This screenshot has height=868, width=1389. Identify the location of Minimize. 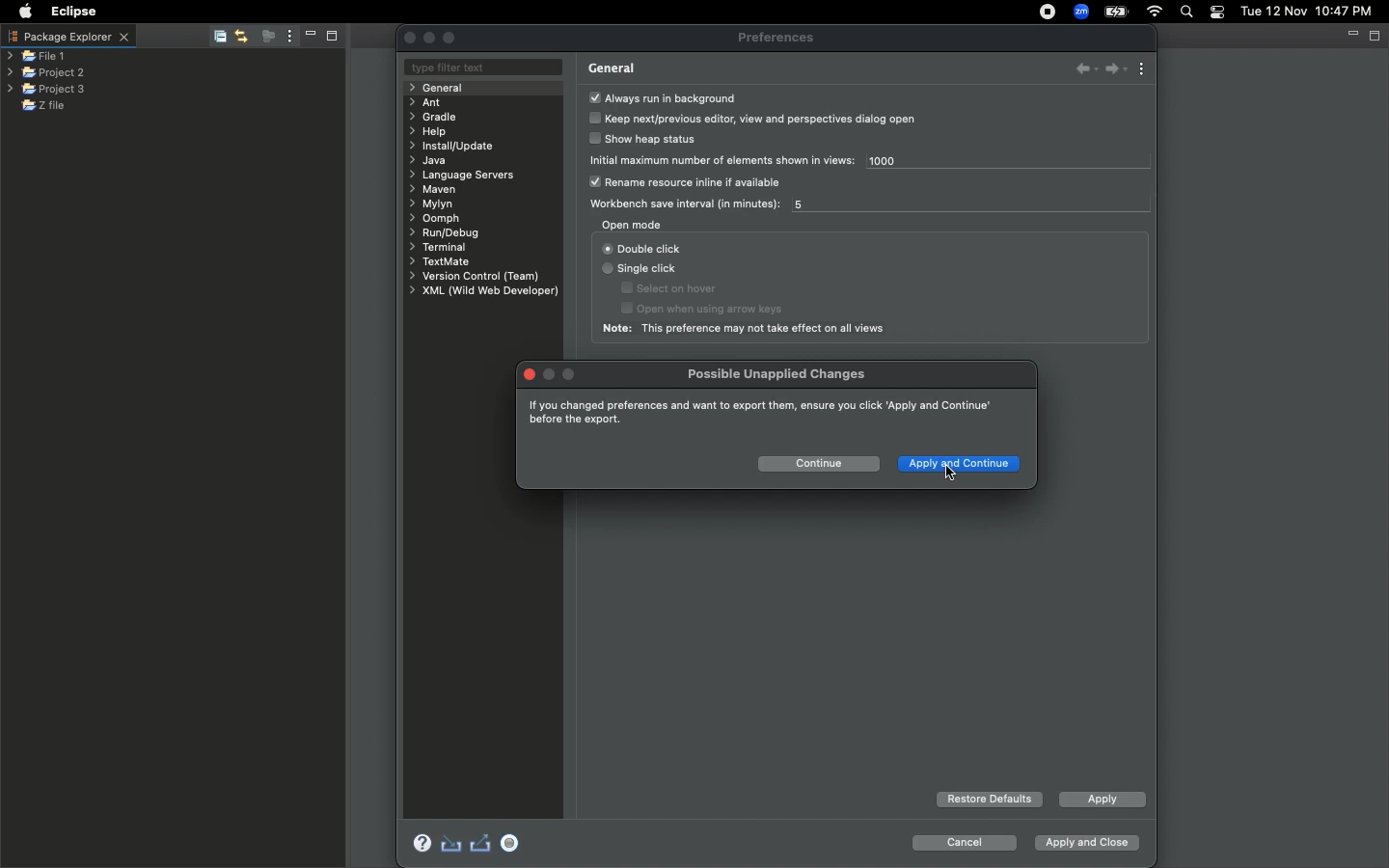
(311, 36).